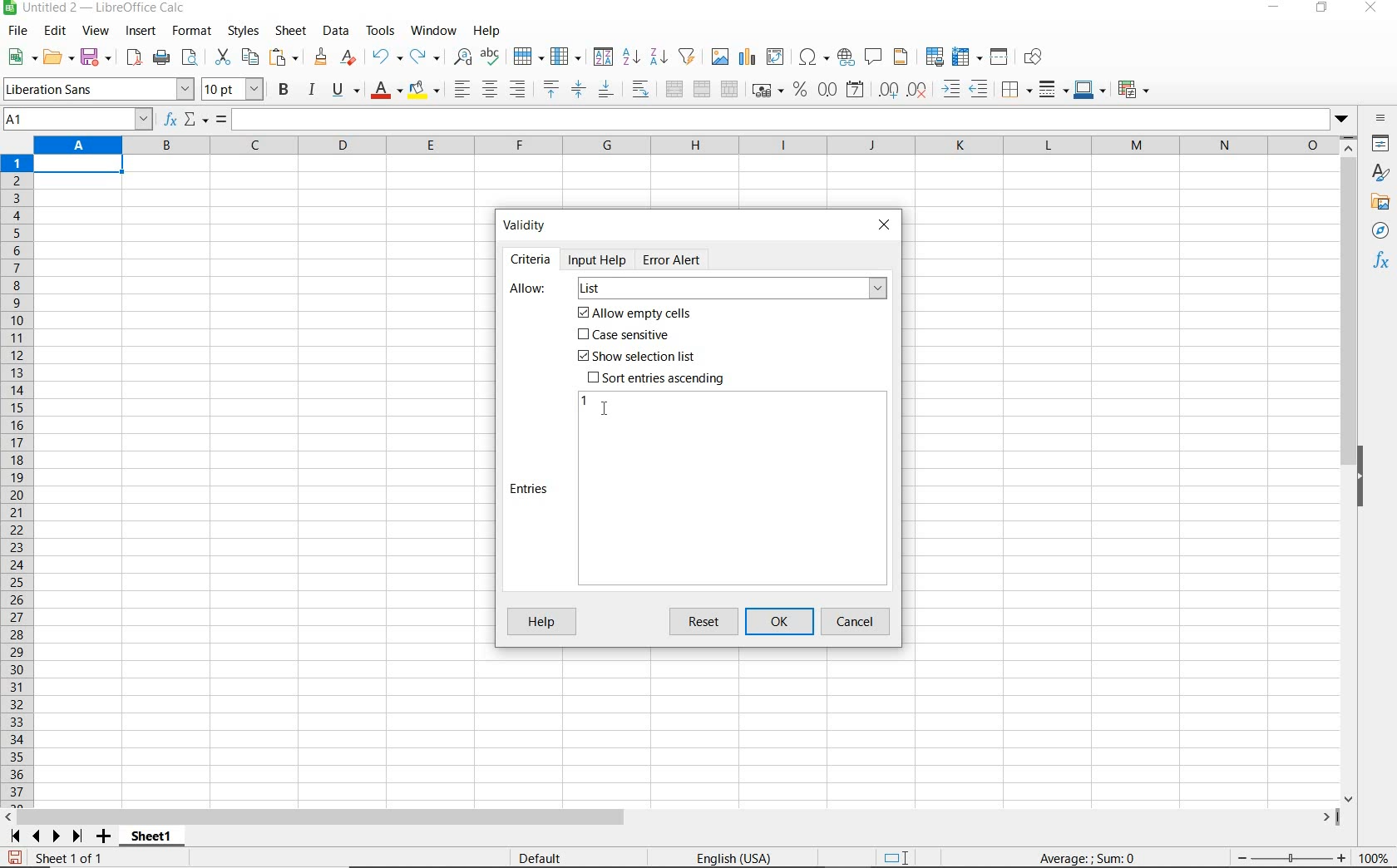 This screenshot has height=868, width=1397. What do you see at coordinates (386, 57) in the screenshot?
I see `undo` at bounding box center [386, 57].